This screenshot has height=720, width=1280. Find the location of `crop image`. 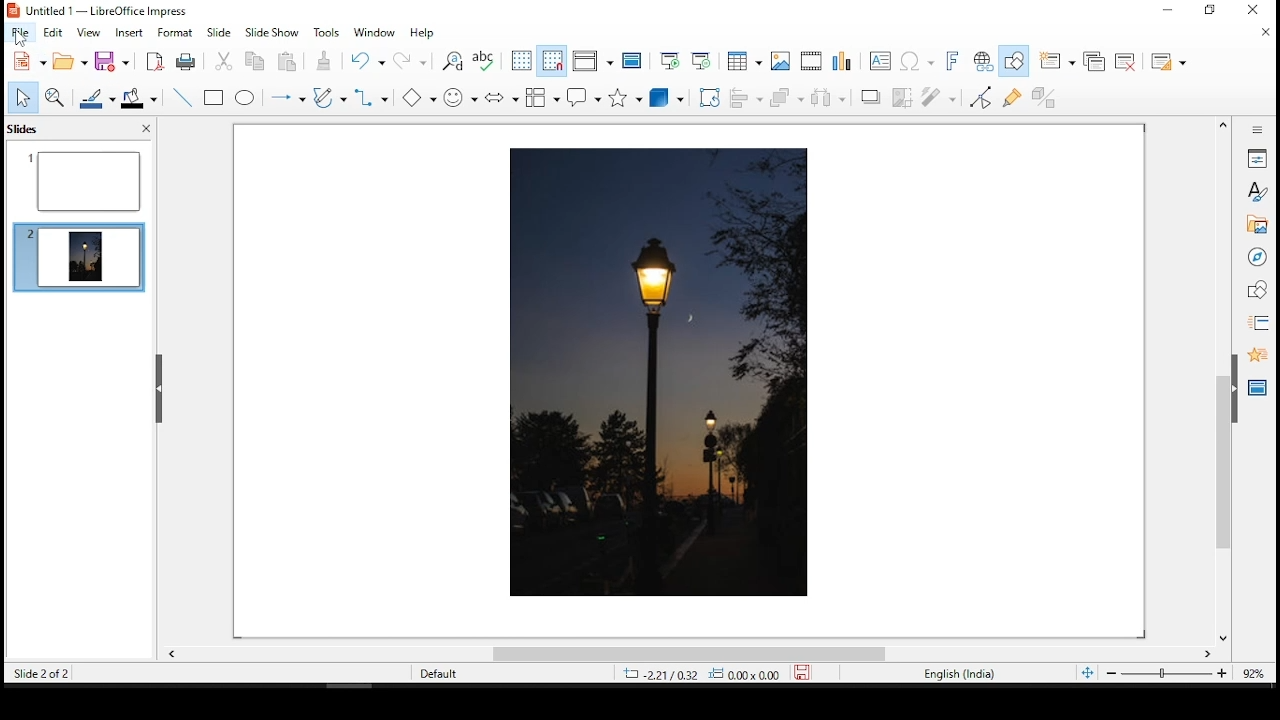

crop image is located at coordinates (905, 98).